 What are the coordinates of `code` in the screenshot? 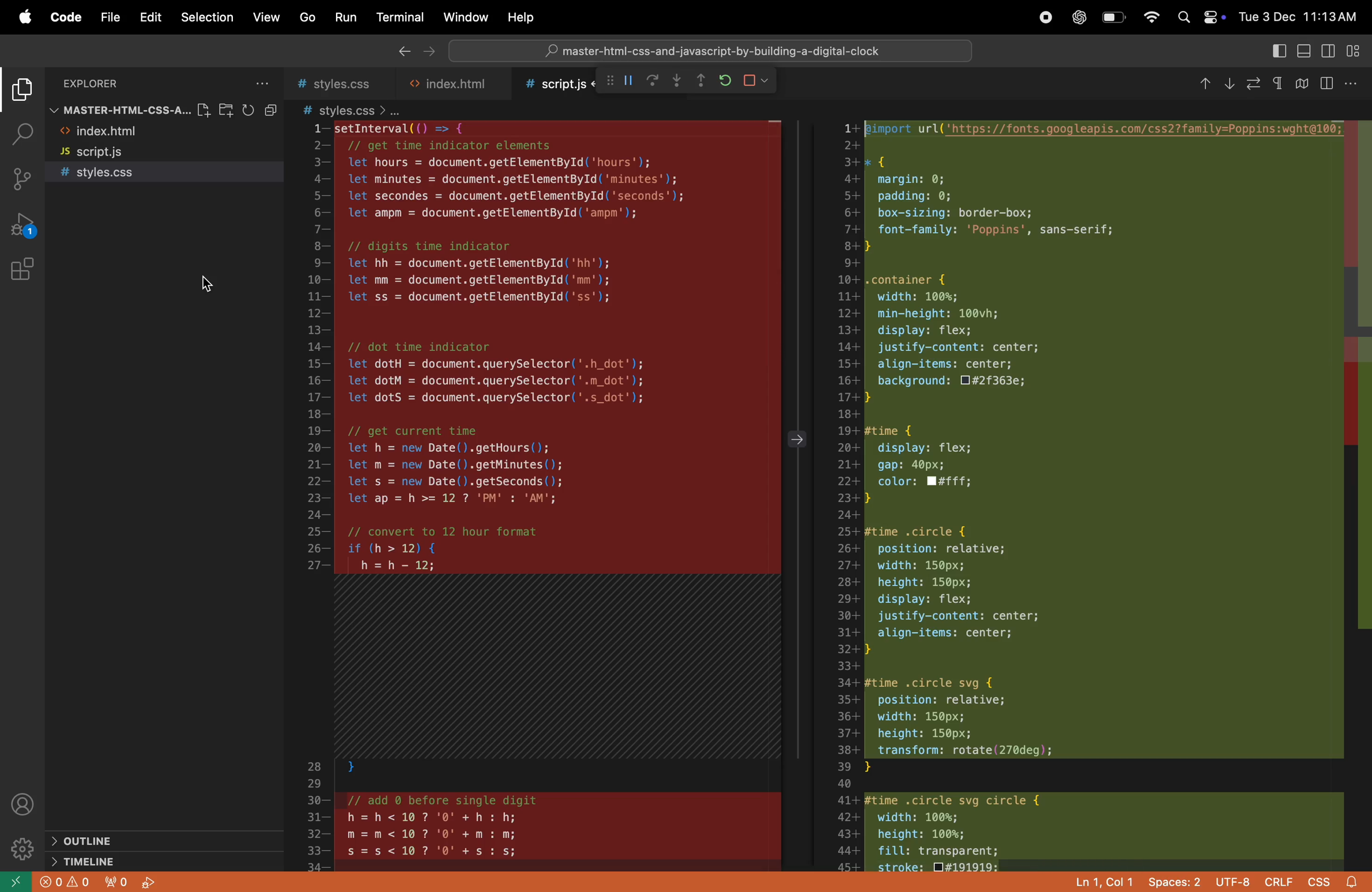 It's located at (64, 16).